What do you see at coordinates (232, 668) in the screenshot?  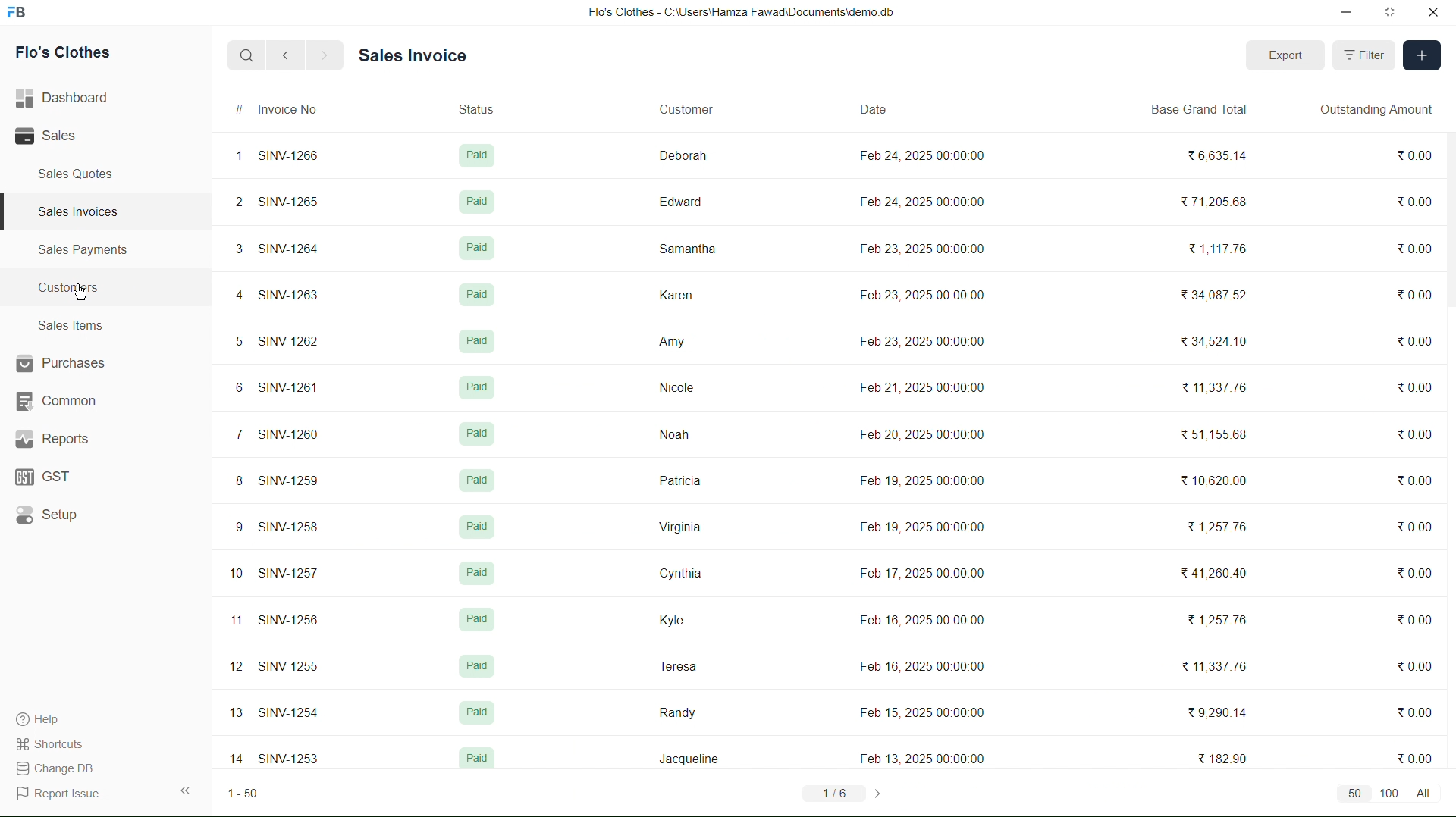 I see `12` at bounding box center [232, 668].